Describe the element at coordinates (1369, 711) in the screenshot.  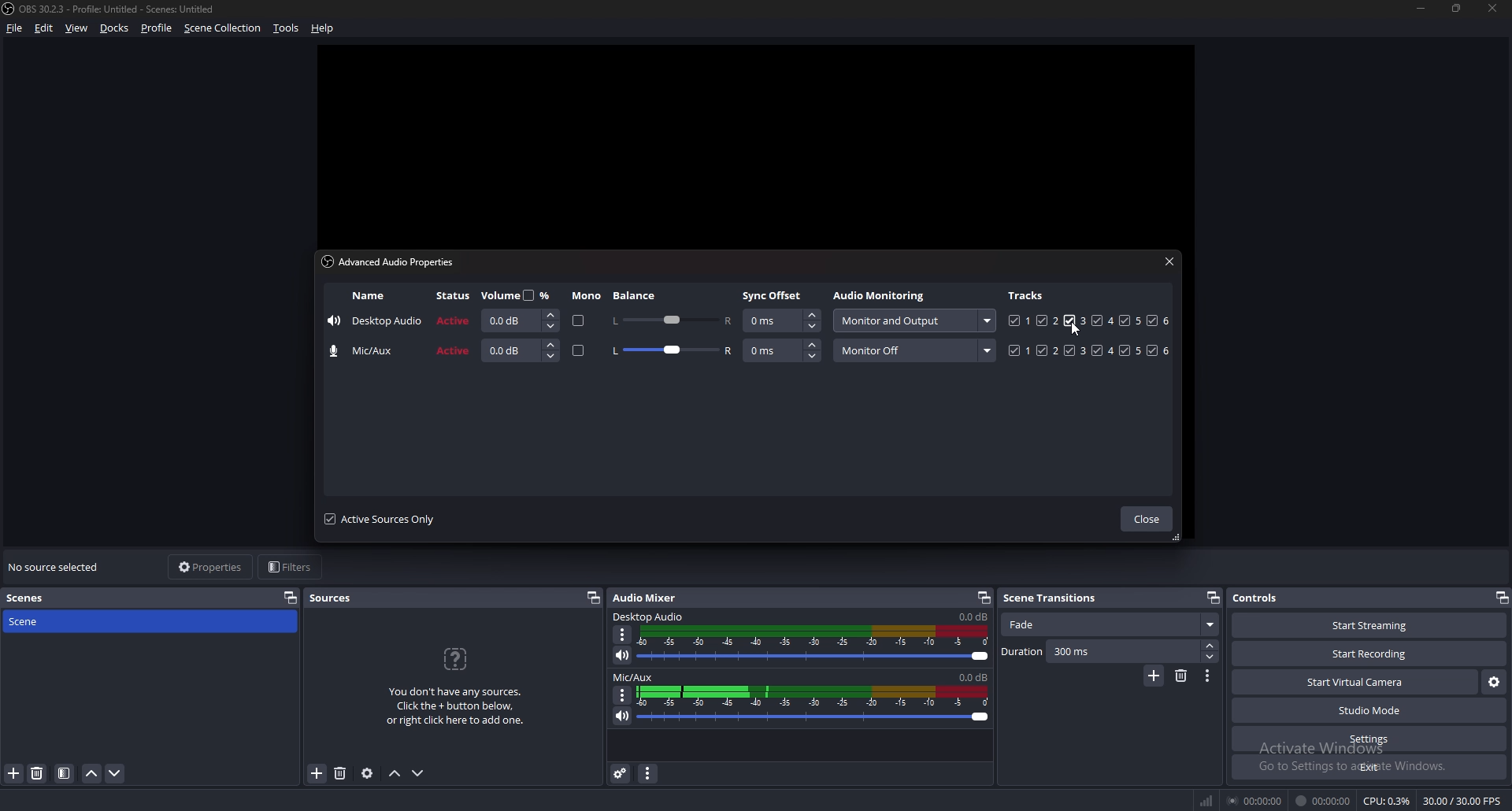
I see `studio mode` at that location.